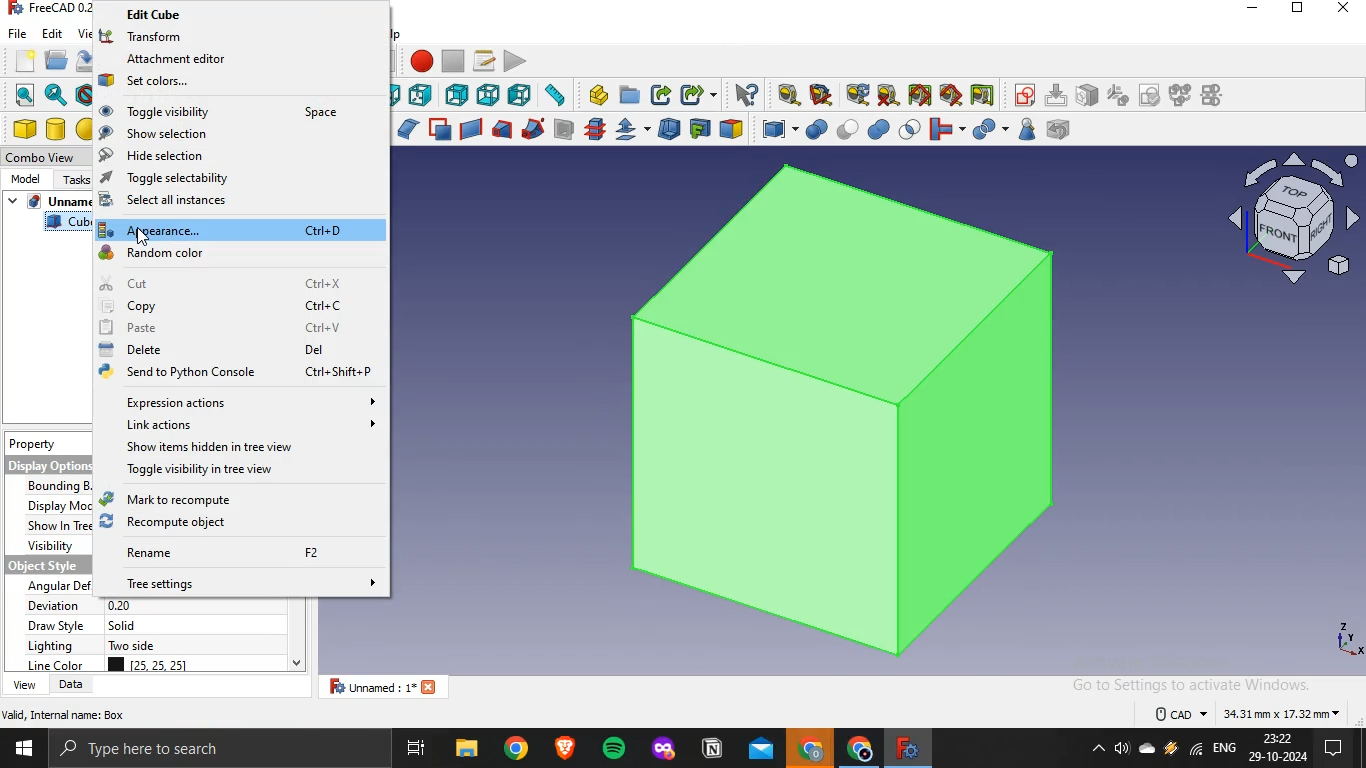 This screenshot has height=768, width=1366. Describe the element at coordinates (987, 130) in the screenshot. I see `split objects` at that location.